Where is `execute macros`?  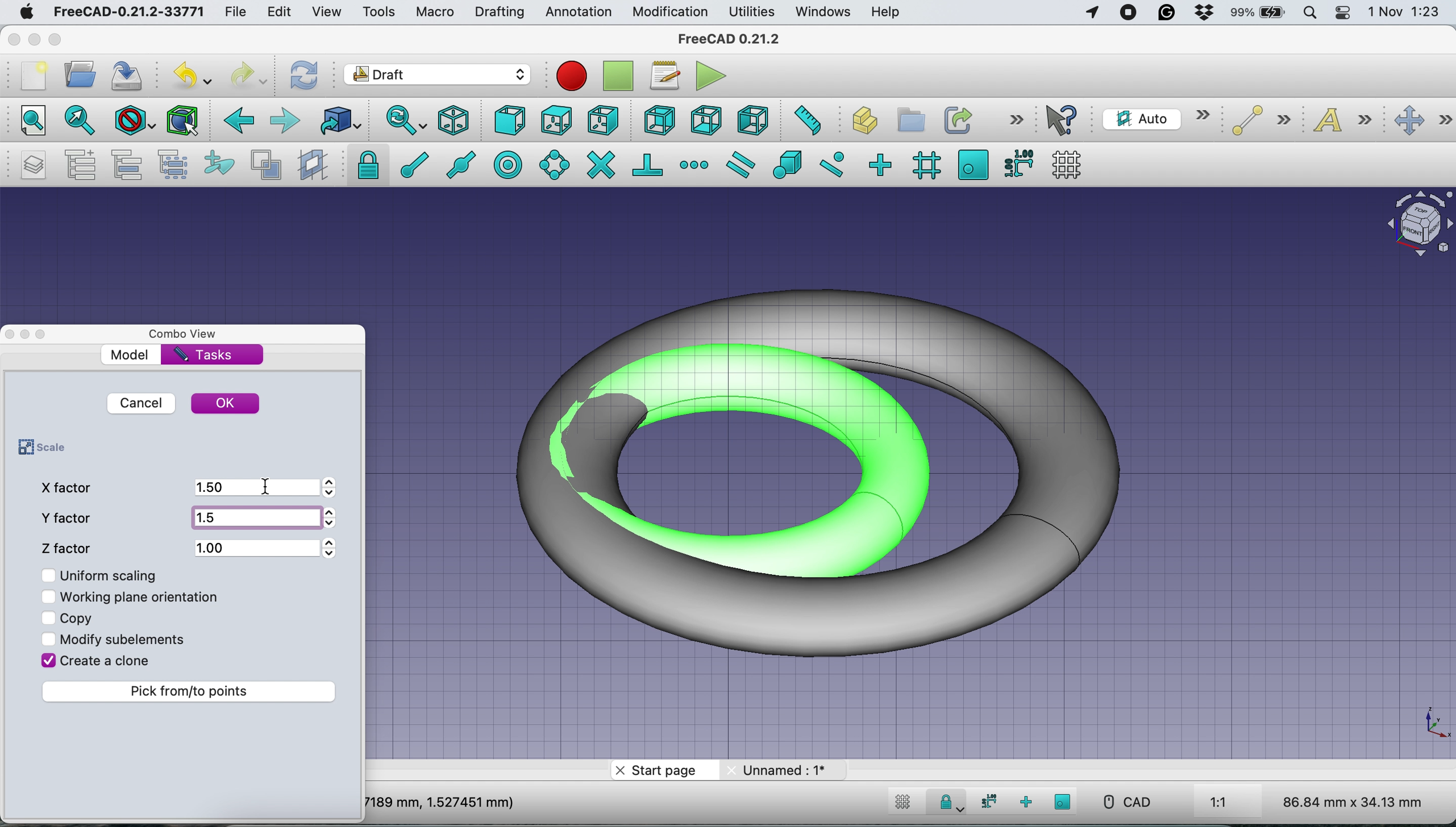
execute macros is located at coordinates (711, 76).